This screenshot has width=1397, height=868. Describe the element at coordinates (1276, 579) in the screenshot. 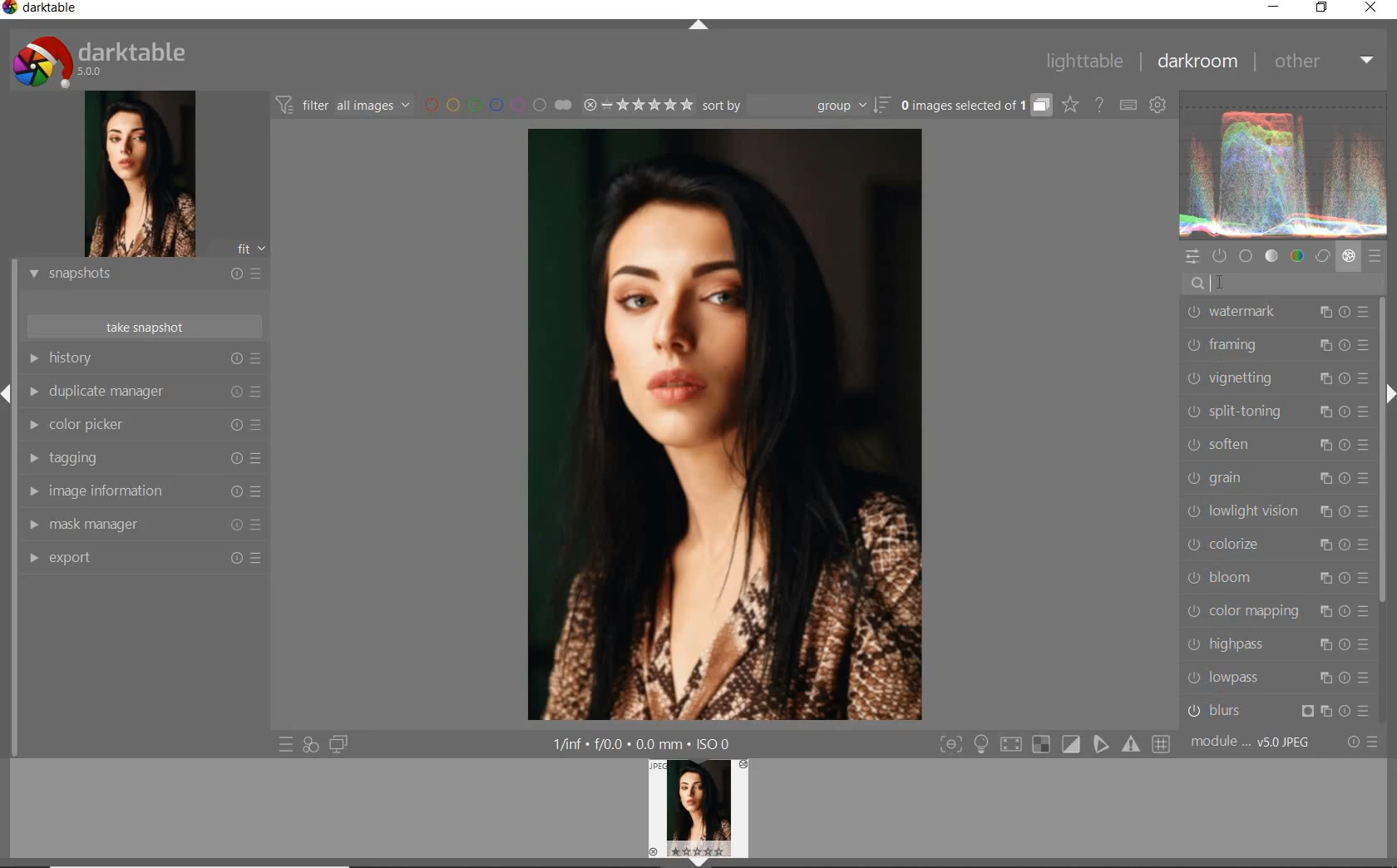

I see `bloom` at that location.